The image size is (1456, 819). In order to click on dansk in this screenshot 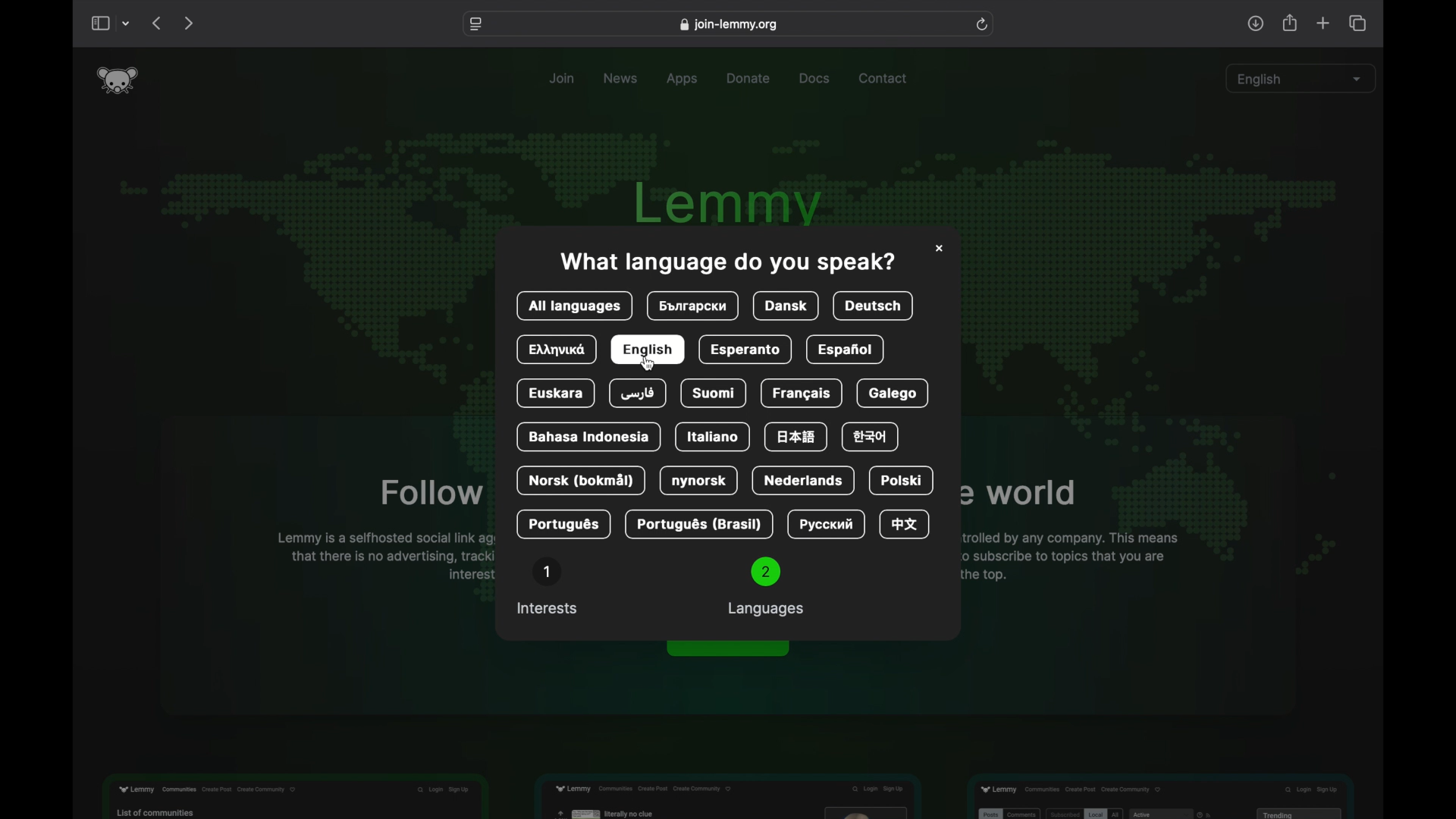, I will do `click(787, 306)`.